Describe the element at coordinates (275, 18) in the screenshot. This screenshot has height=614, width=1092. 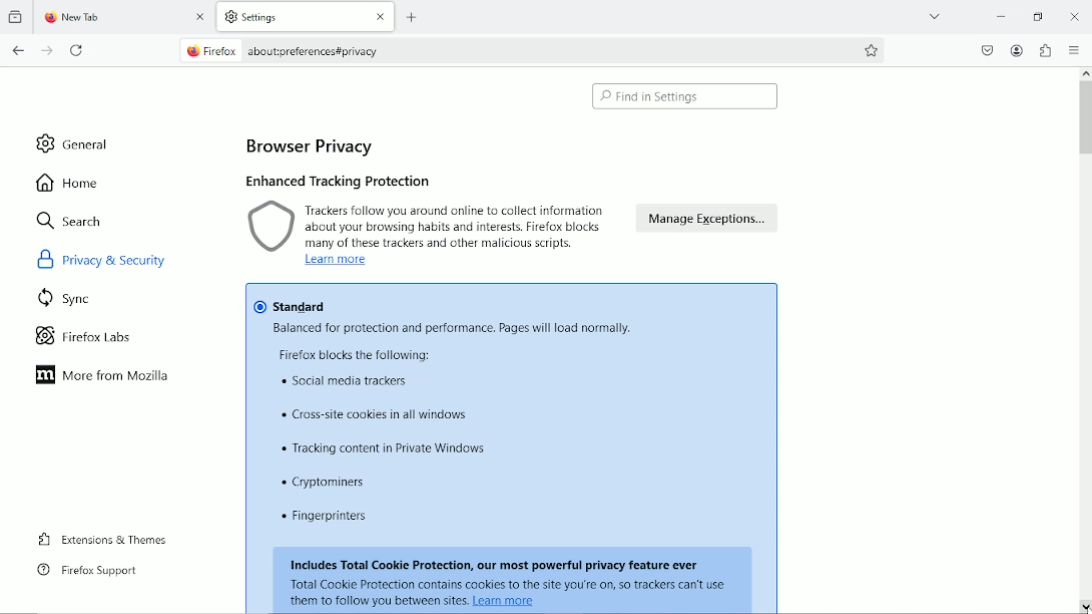
I see `settings` at that location.